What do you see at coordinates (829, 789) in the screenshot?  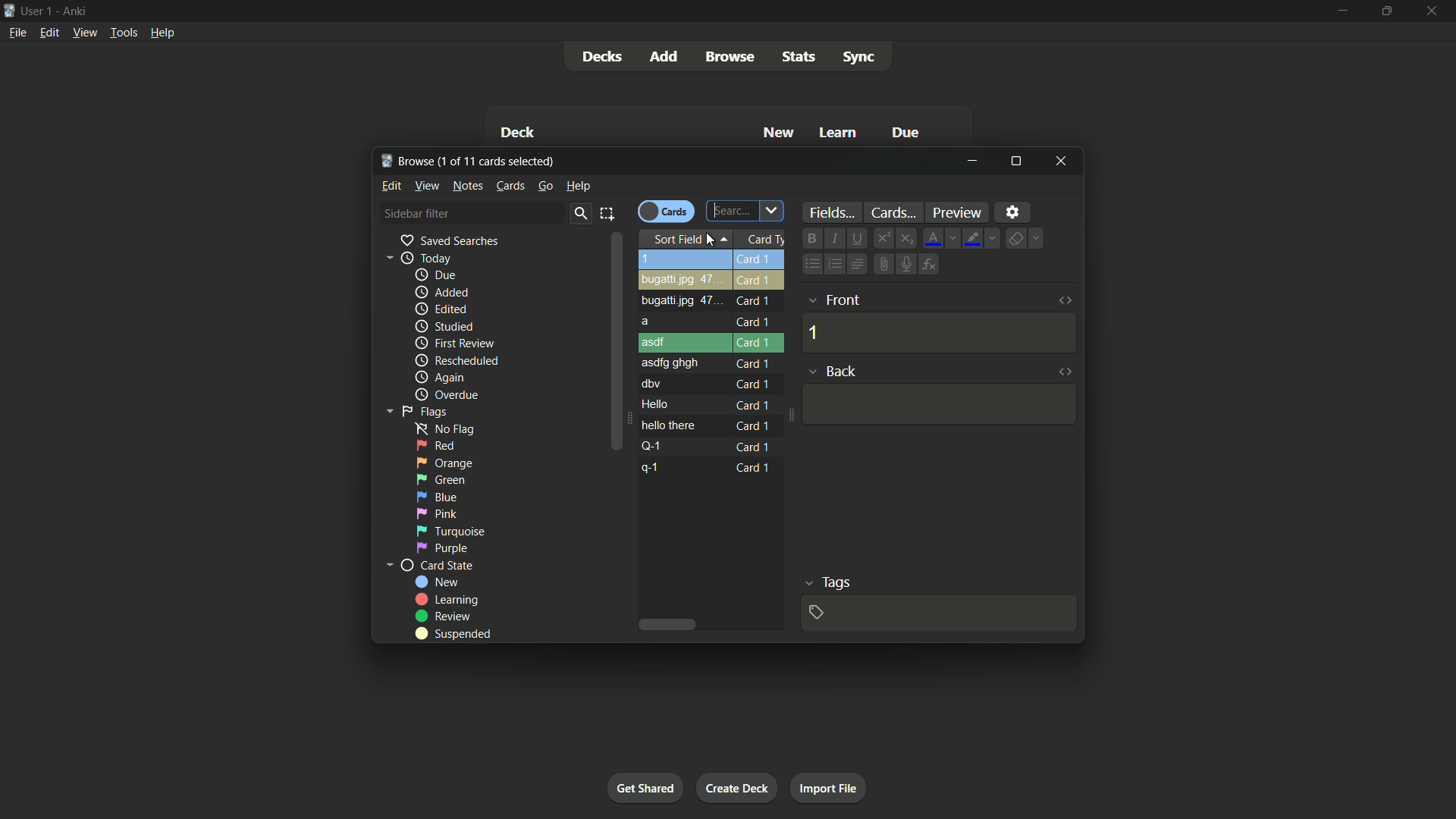 I see `import file` at bounding box center [829, 789].